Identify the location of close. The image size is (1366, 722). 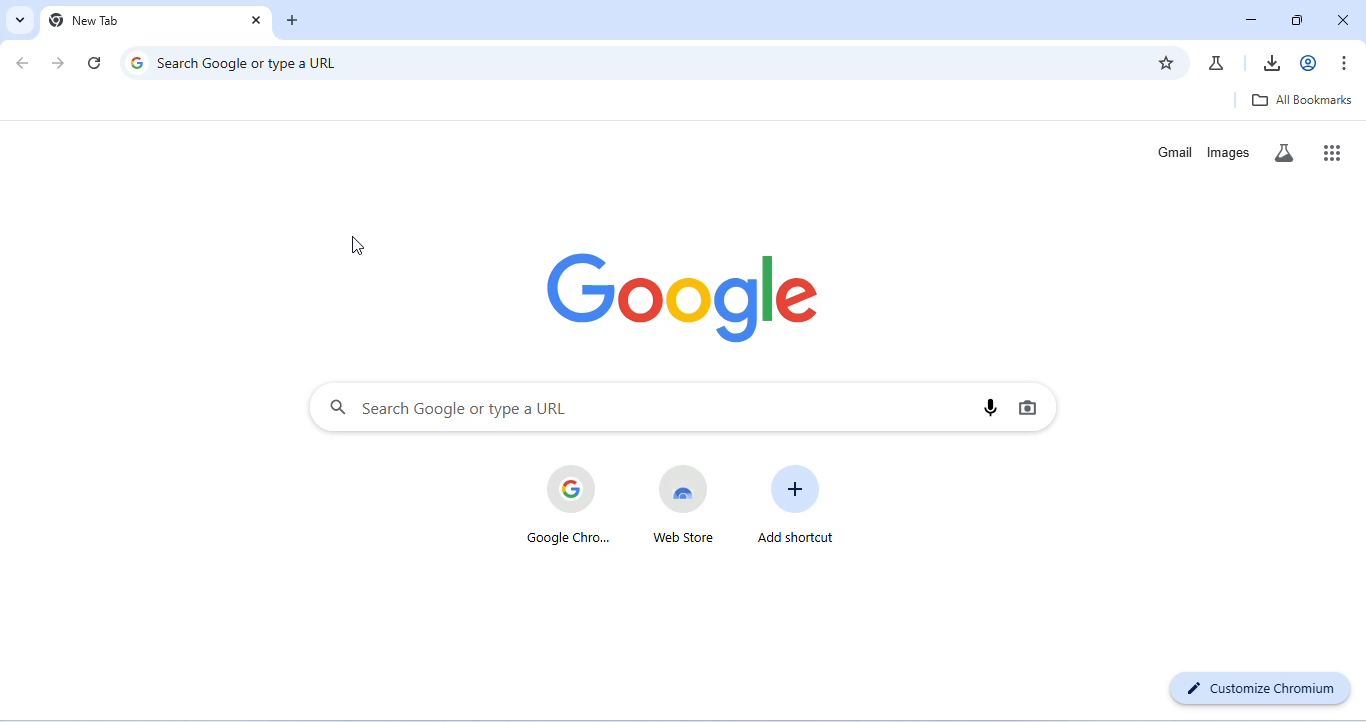
(1342, 21).